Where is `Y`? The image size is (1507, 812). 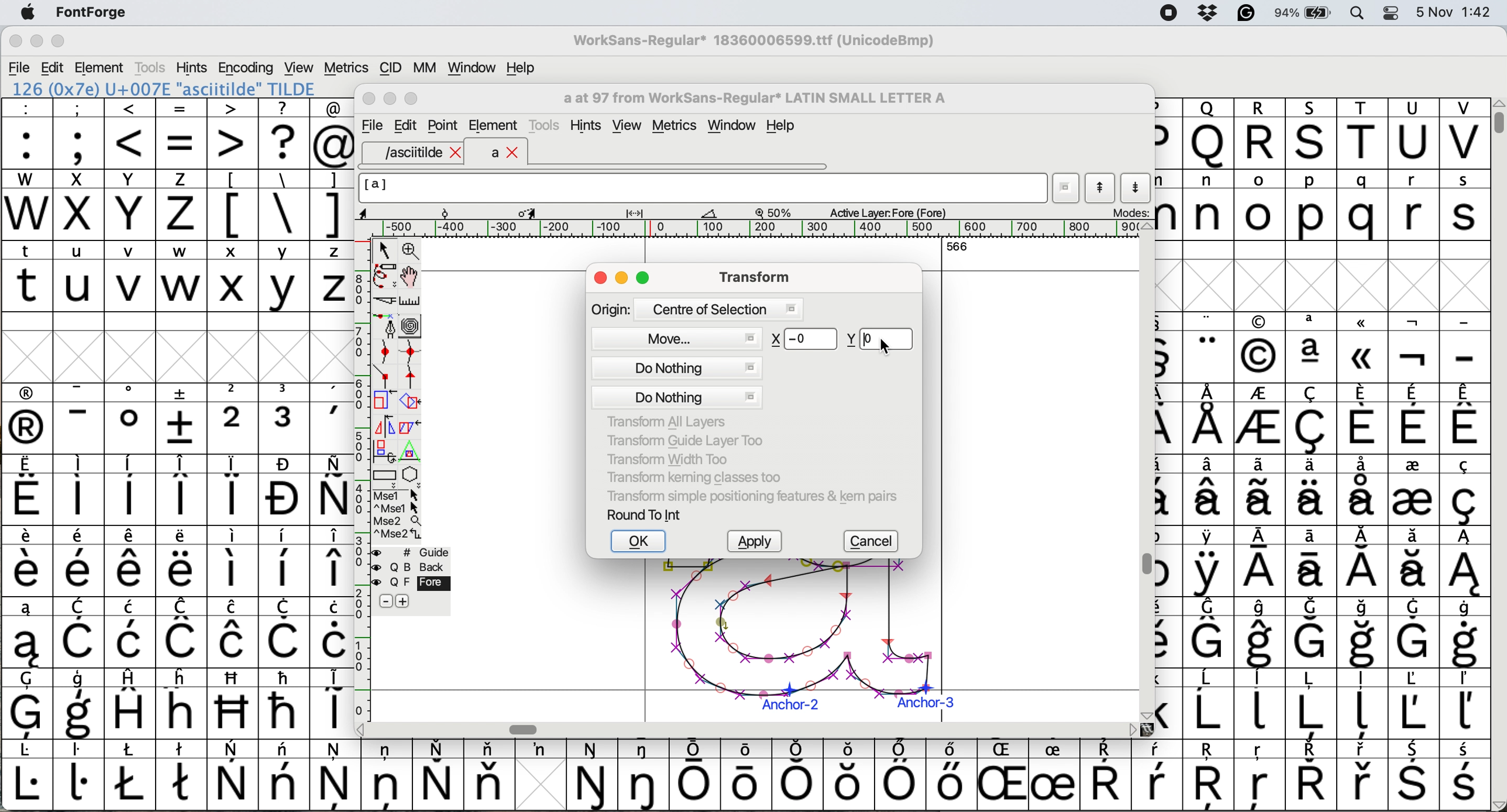
Y is located at coordinates (132, 205).